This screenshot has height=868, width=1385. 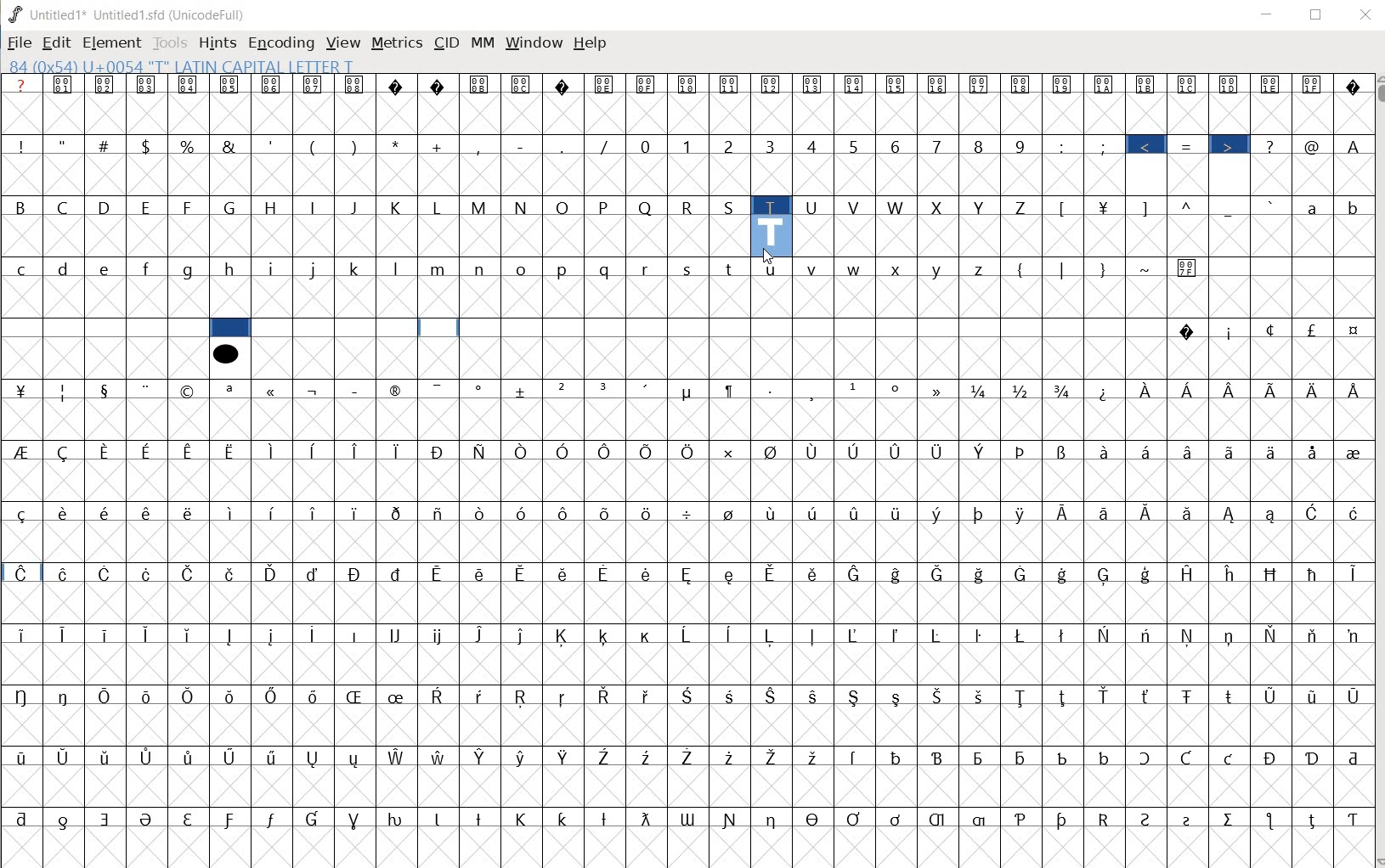 I want to click on Symbol, so click(x=607, y=452).